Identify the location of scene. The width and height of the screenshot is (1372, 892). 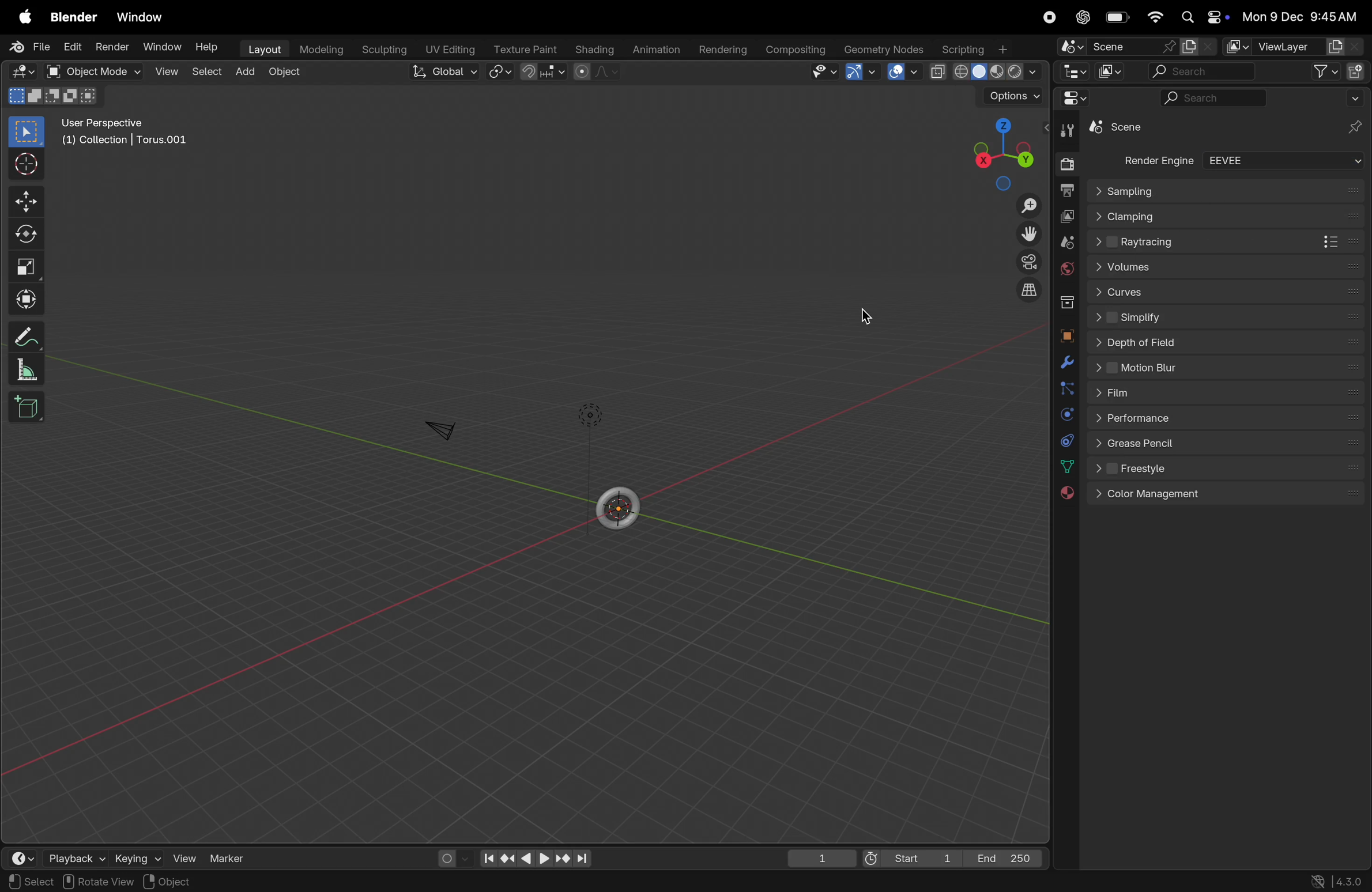
(1064, 240).